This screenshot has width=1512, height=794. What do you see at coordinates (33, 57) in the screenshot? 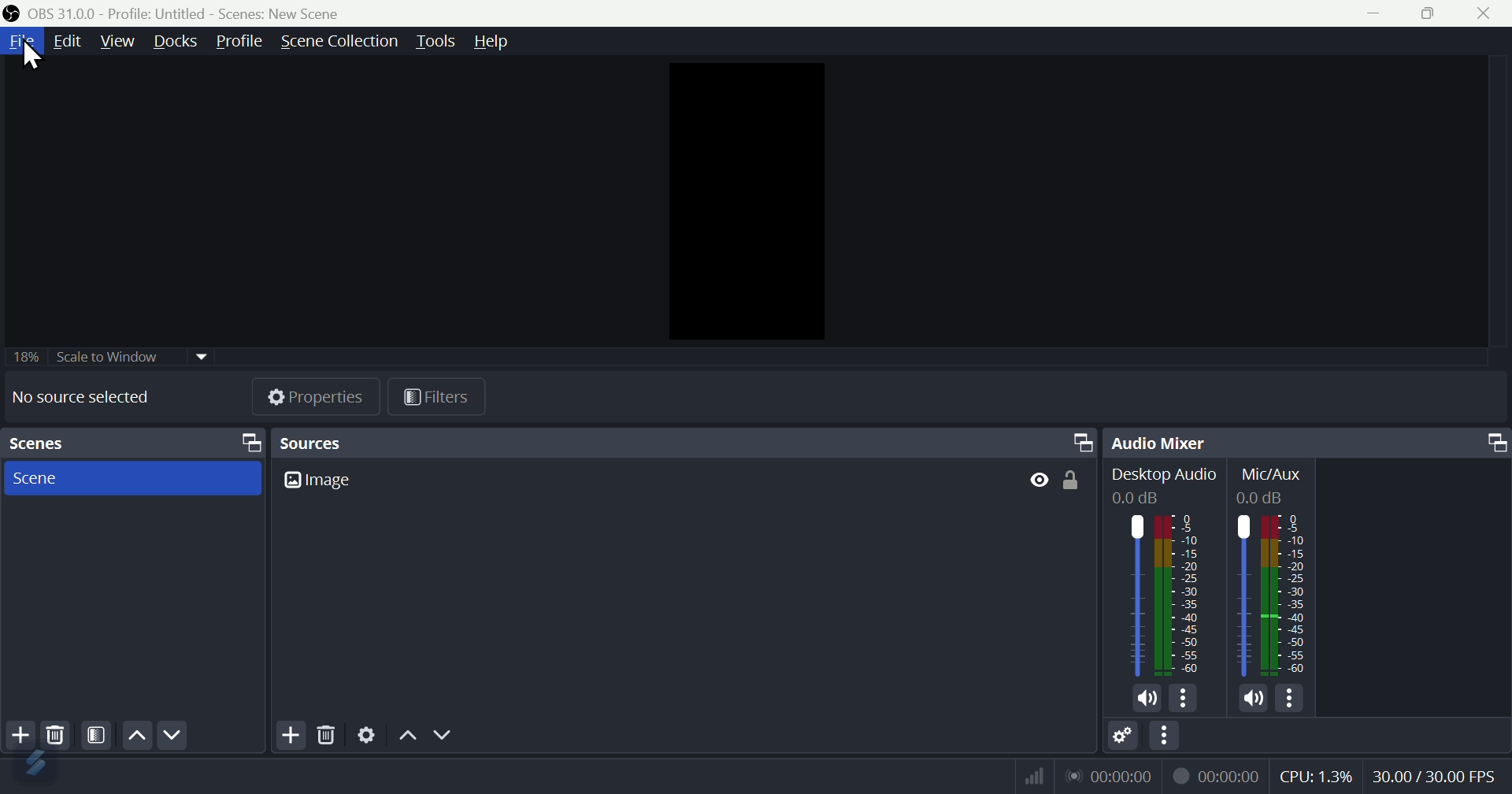
I see `cursor on File` at bounding box center [33, 57].